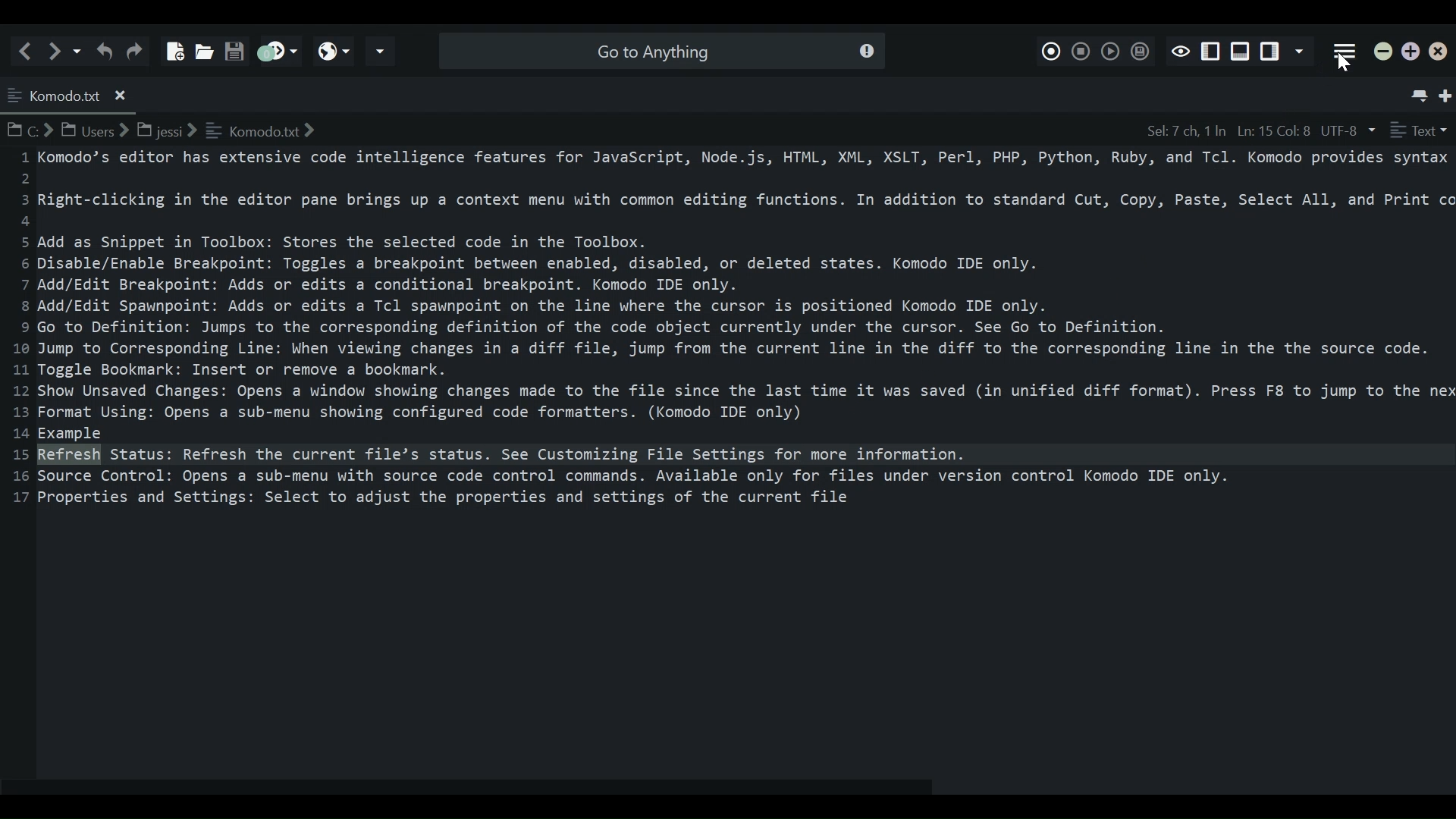 Image resolution: width=1456 pixels, height=819 pixels. Describe the element at coordinates (1345, 52) in the screenshot. I see `Application menu` at that location.